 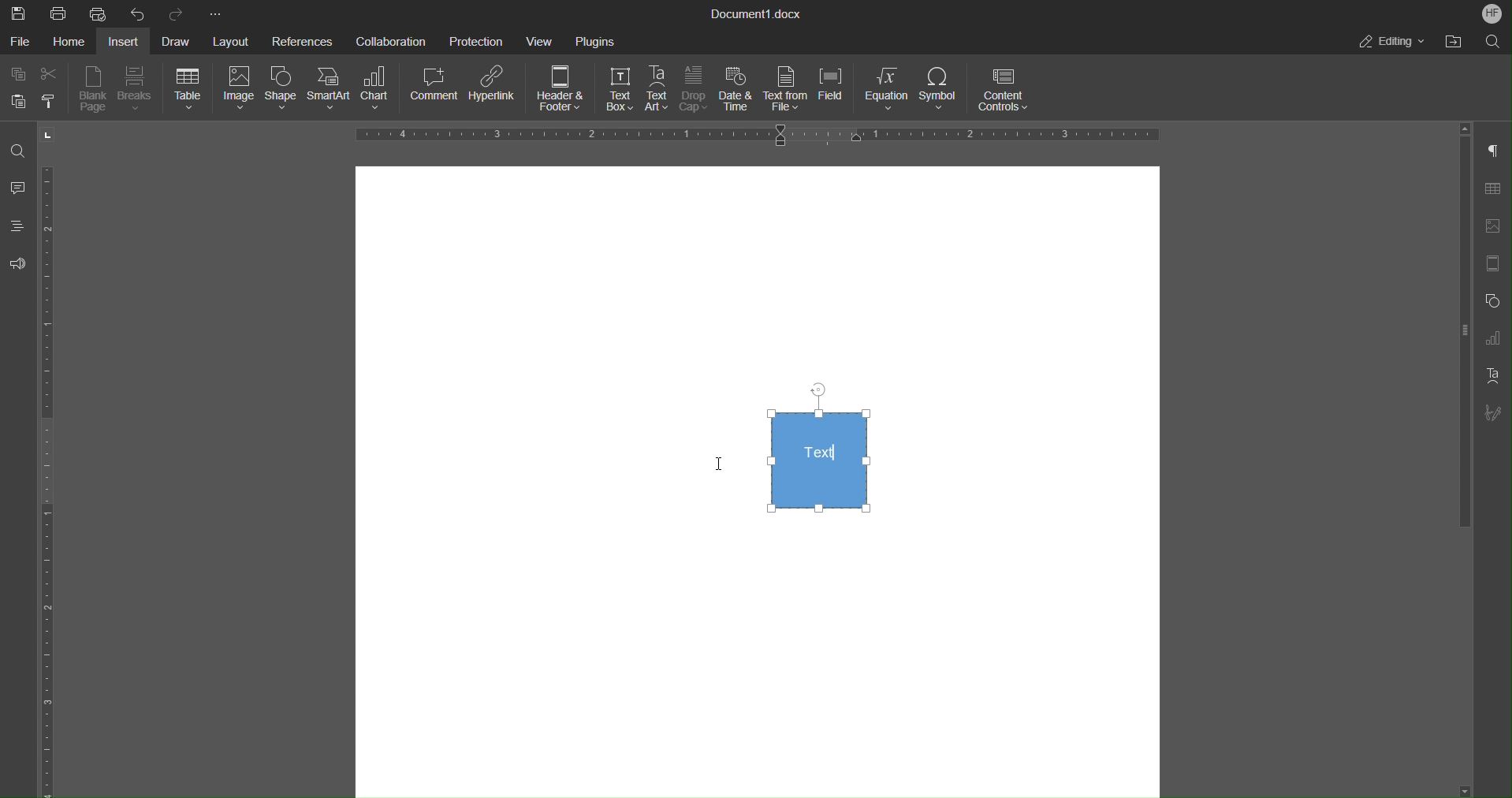 I want to click on Layout, so click(x=233, y=39).